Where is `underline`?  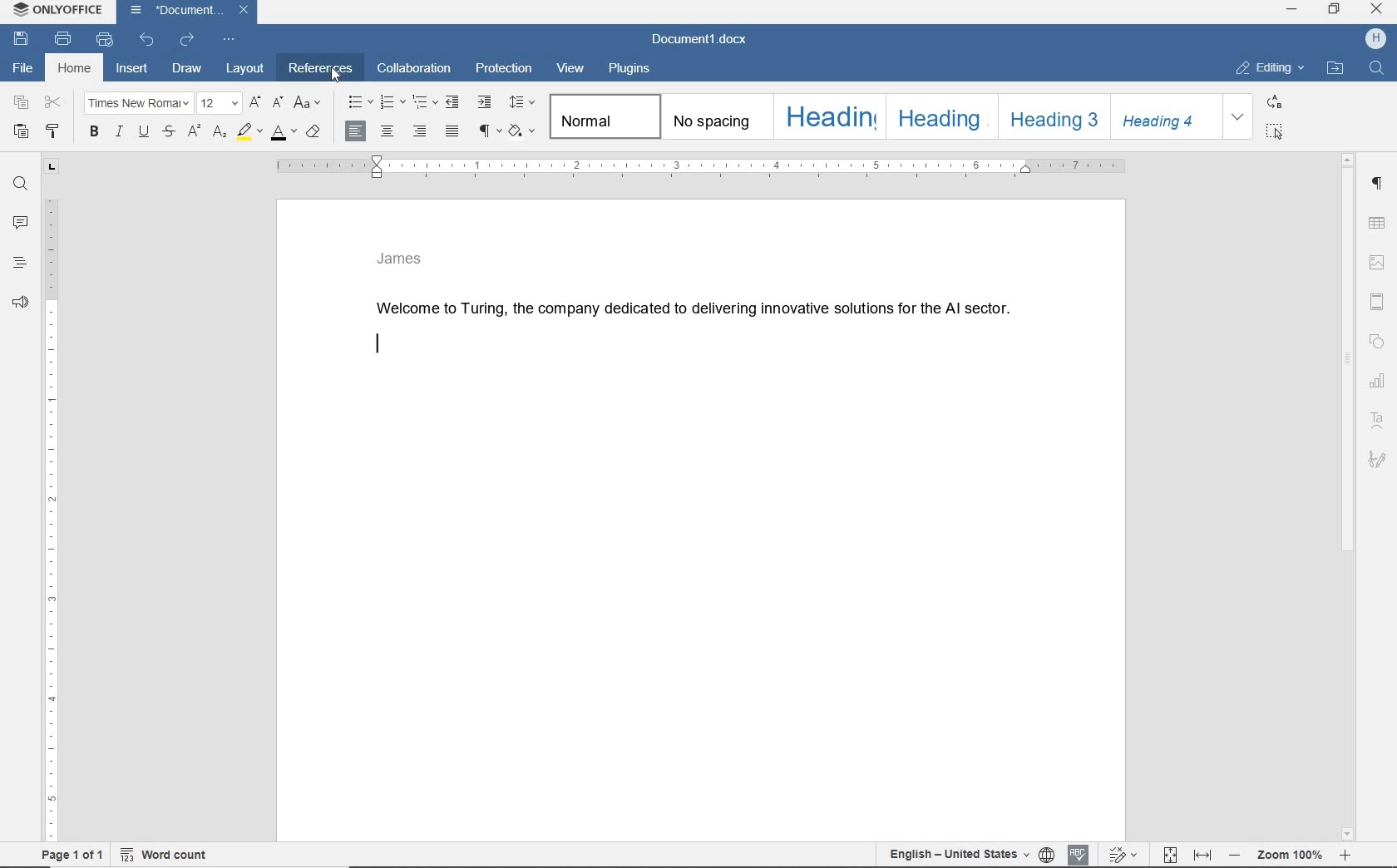 underline is located at coordinates (146, 131).